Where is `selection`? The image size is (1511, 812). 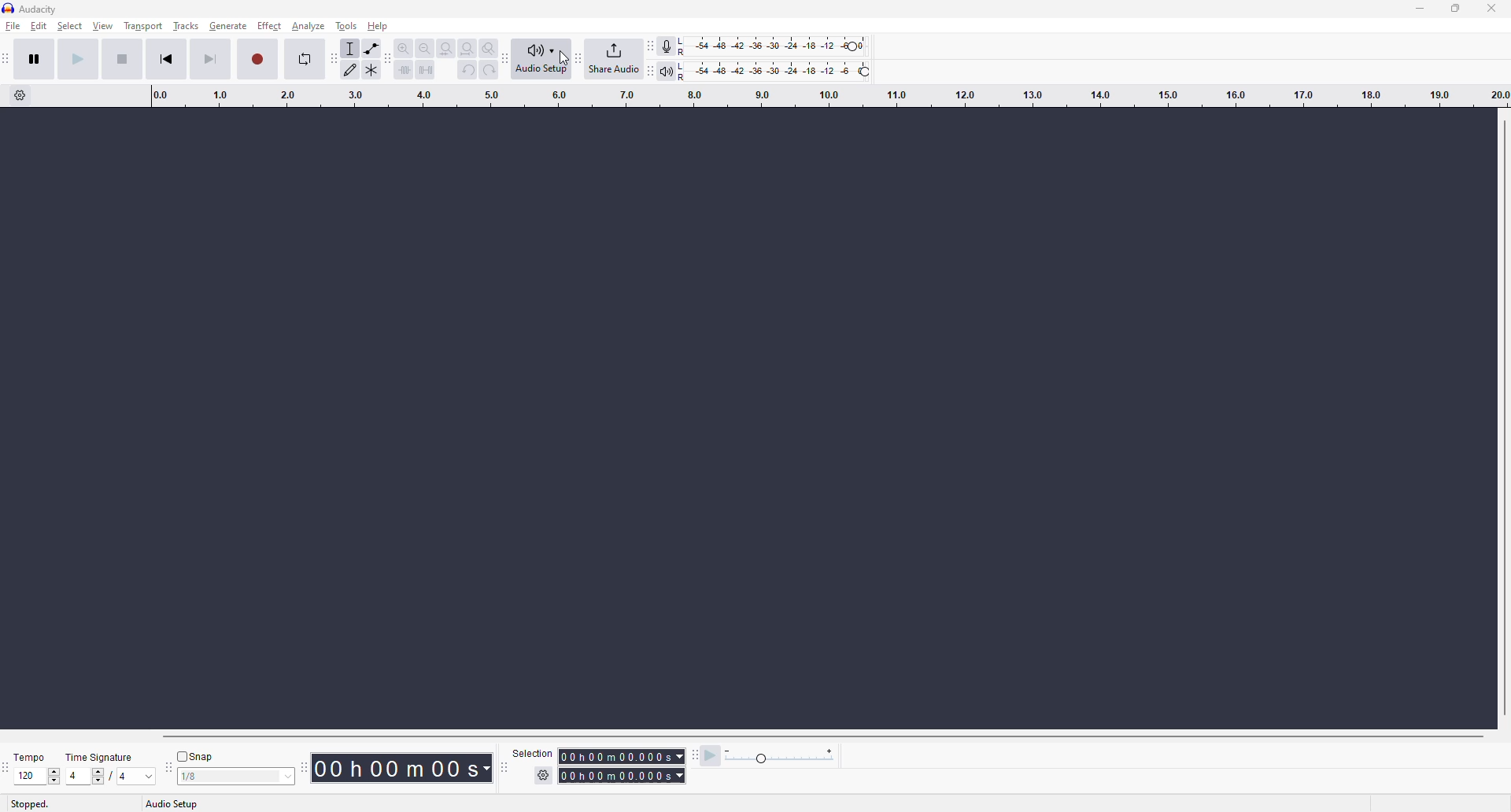
selection is located at coordinates (620, 762).